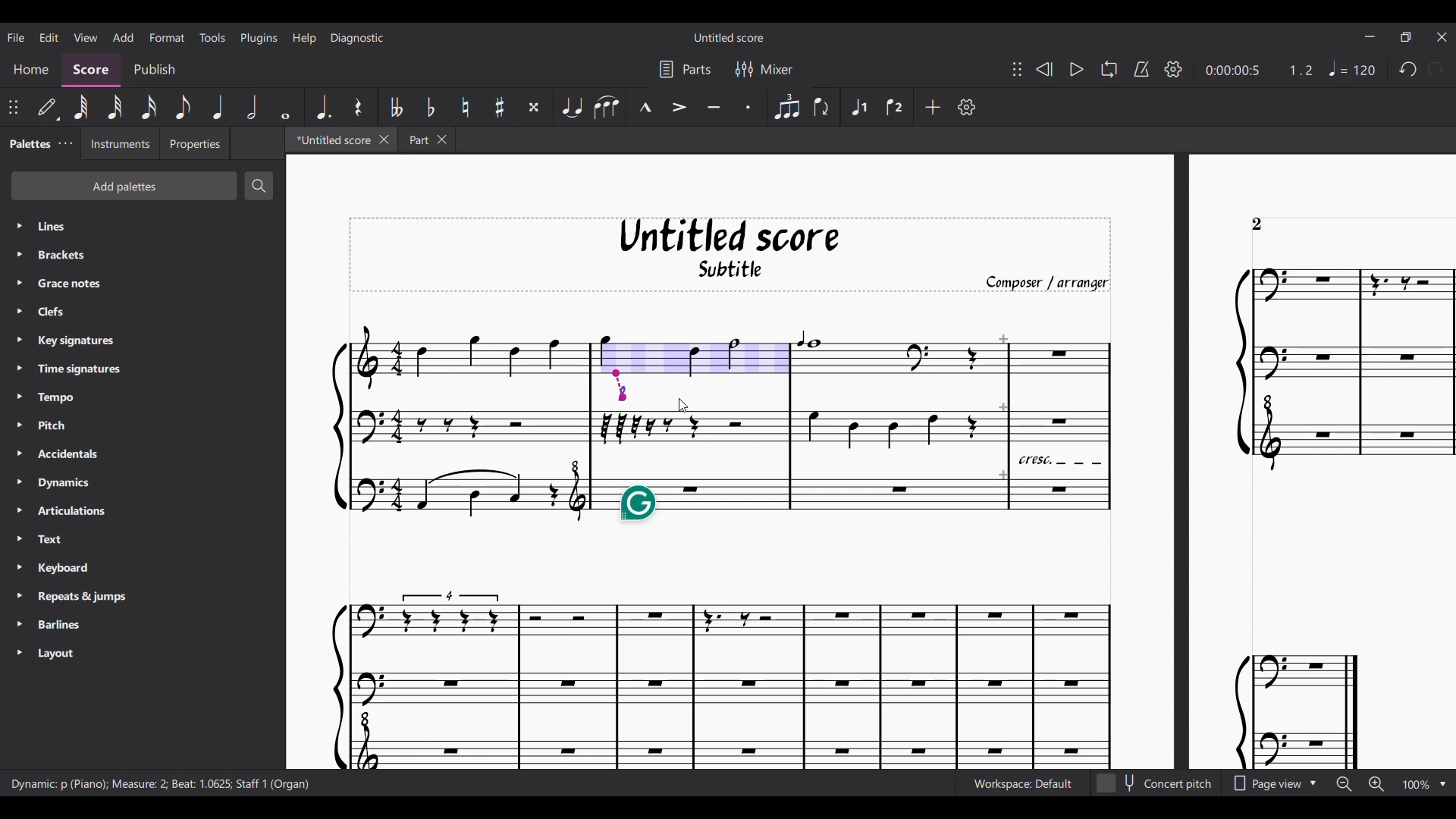 The height and width of the screenshot is (819, 1456). What do you see at coordinates (91, 71) in the screenshot?
I see `Score, current section highlighted` at bounding box center [91, 71].